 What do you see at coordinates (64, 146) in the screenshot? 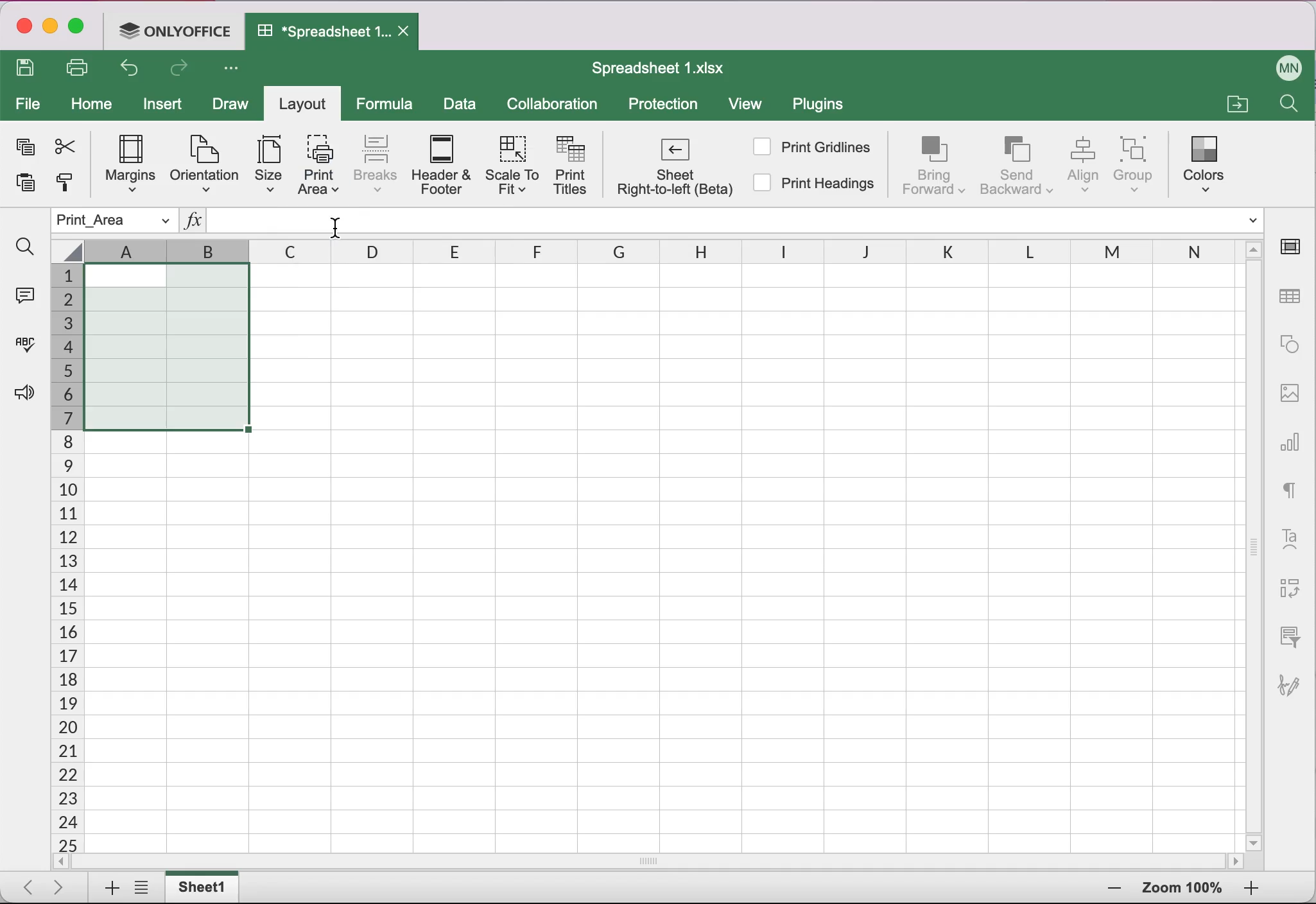
I see `cut` at bounding box center [64, 146].